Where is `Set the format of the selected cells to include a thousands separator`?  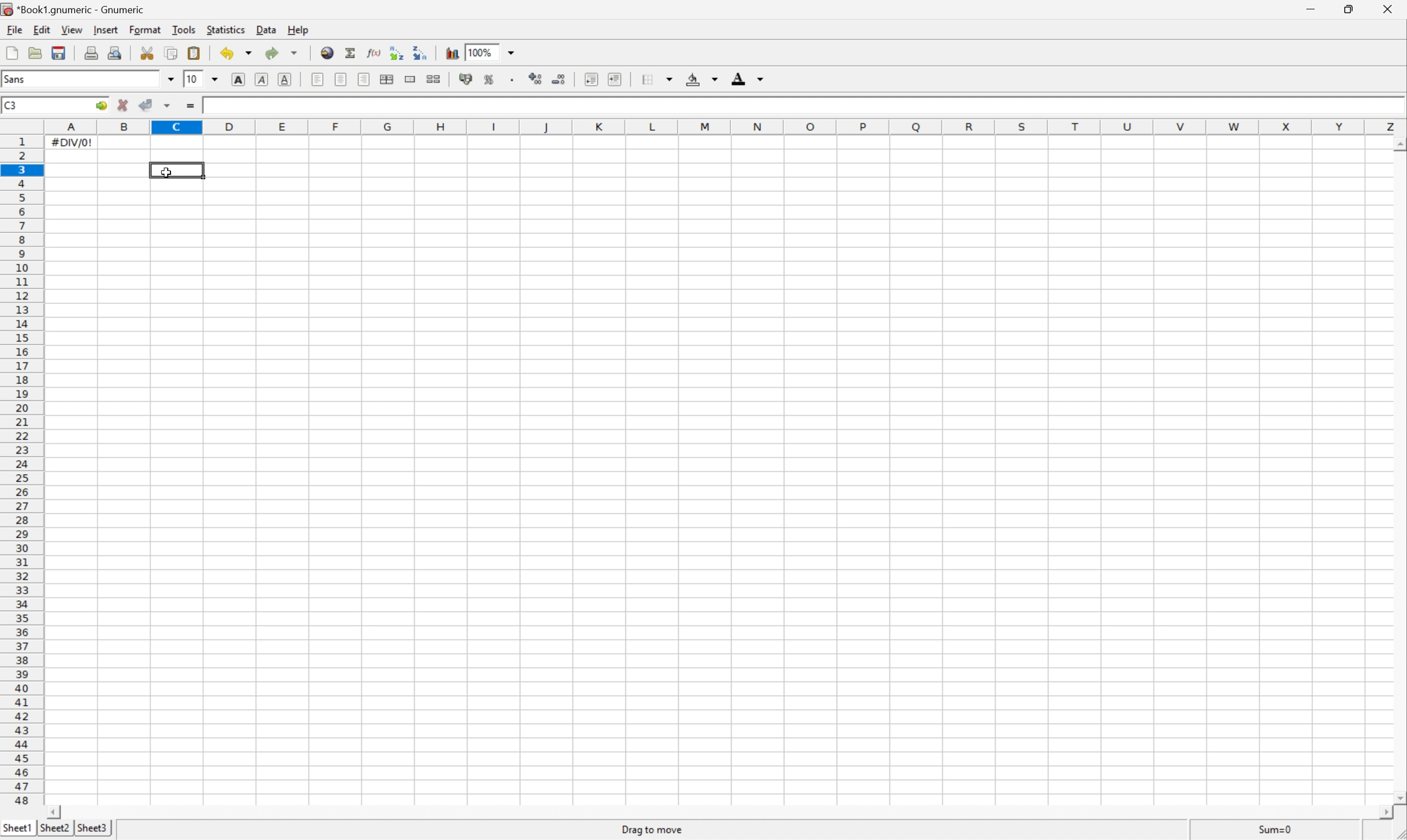
Set the format of the selected cells to include a thousands separator is located at coordinates (513, 80).